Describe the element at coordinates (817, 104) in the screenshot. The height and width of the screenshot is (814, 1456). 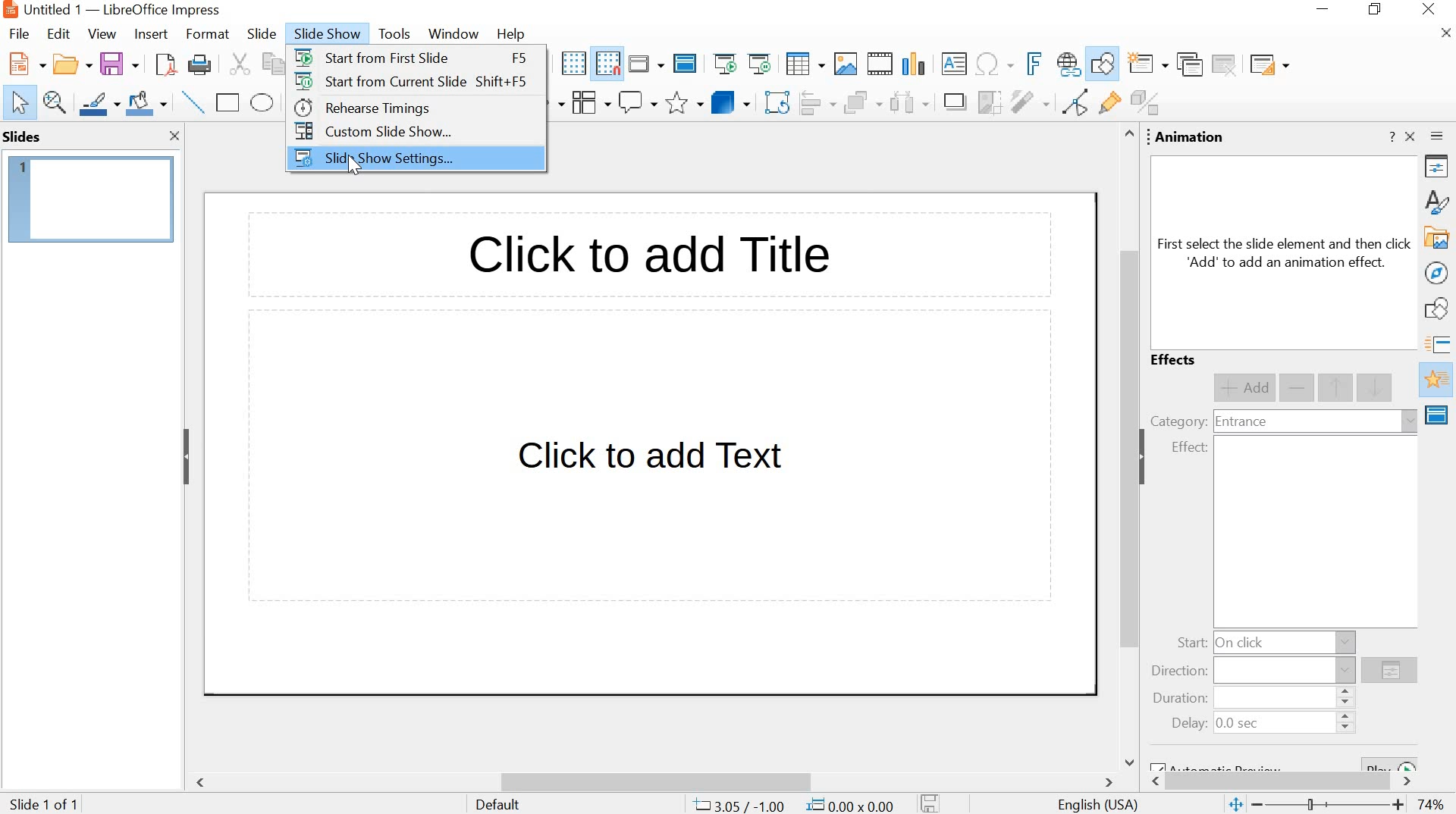
I see `align objects` at that location.